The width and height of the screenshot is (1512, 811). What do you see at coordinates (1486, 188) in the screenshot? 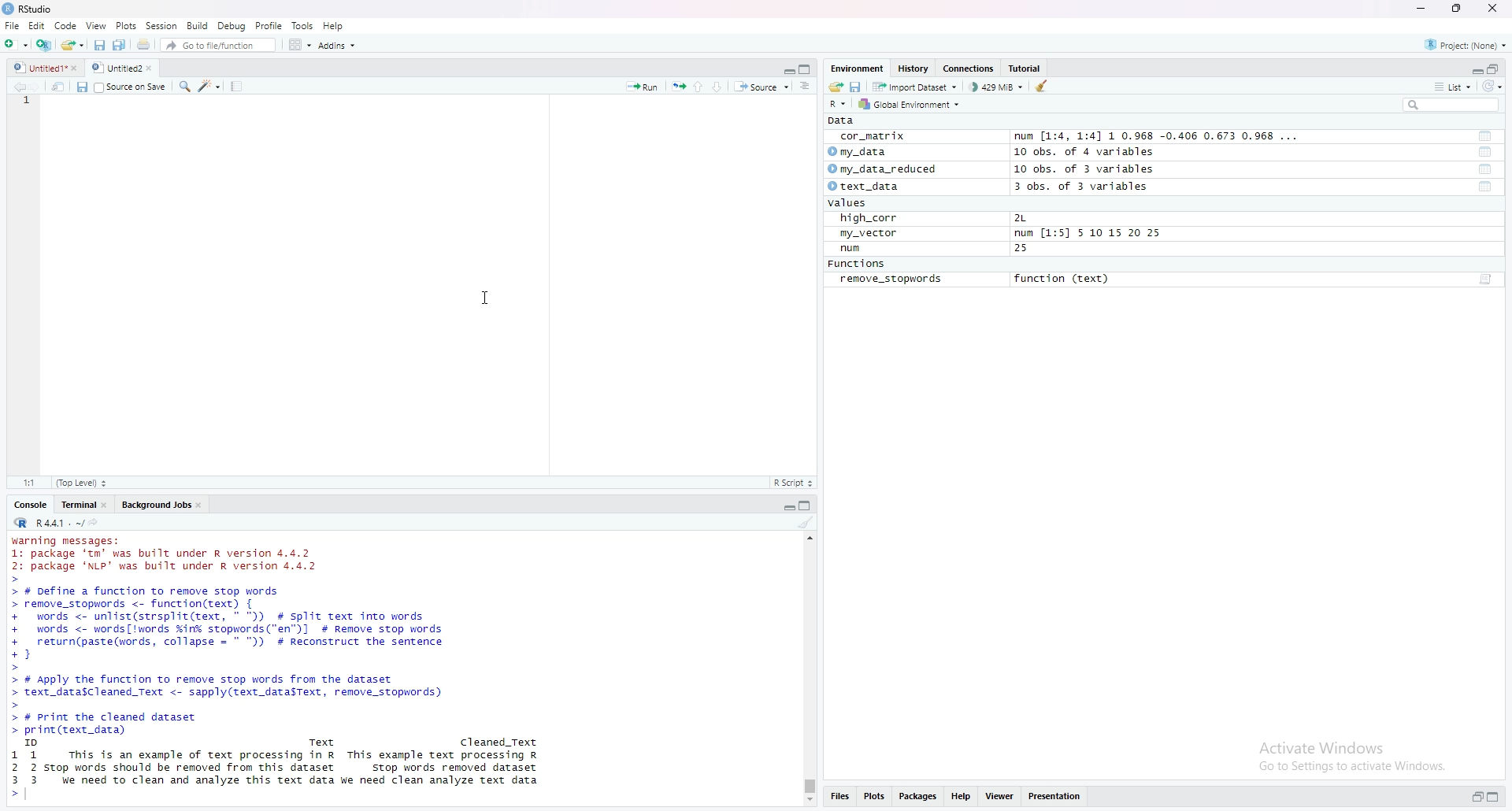
I see `Show Table` at bounding box center [1486, 188].